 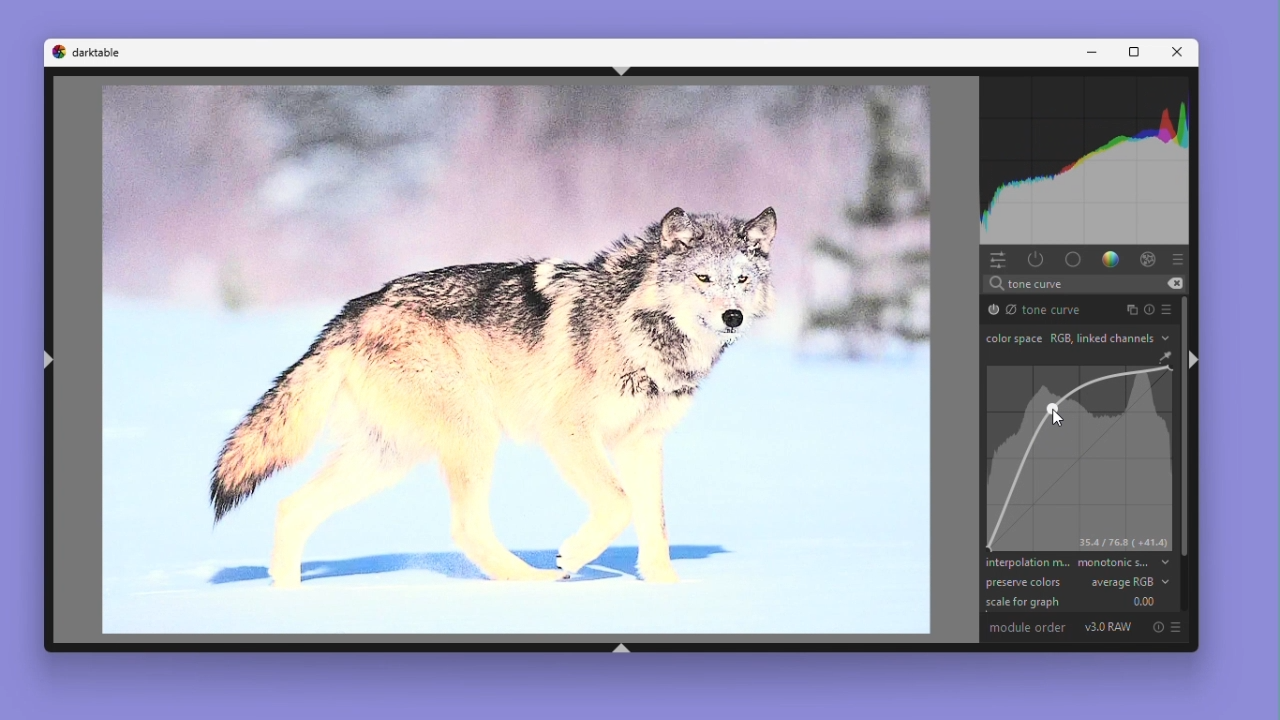 I want to click on preset, so click(x=1166, y=308).